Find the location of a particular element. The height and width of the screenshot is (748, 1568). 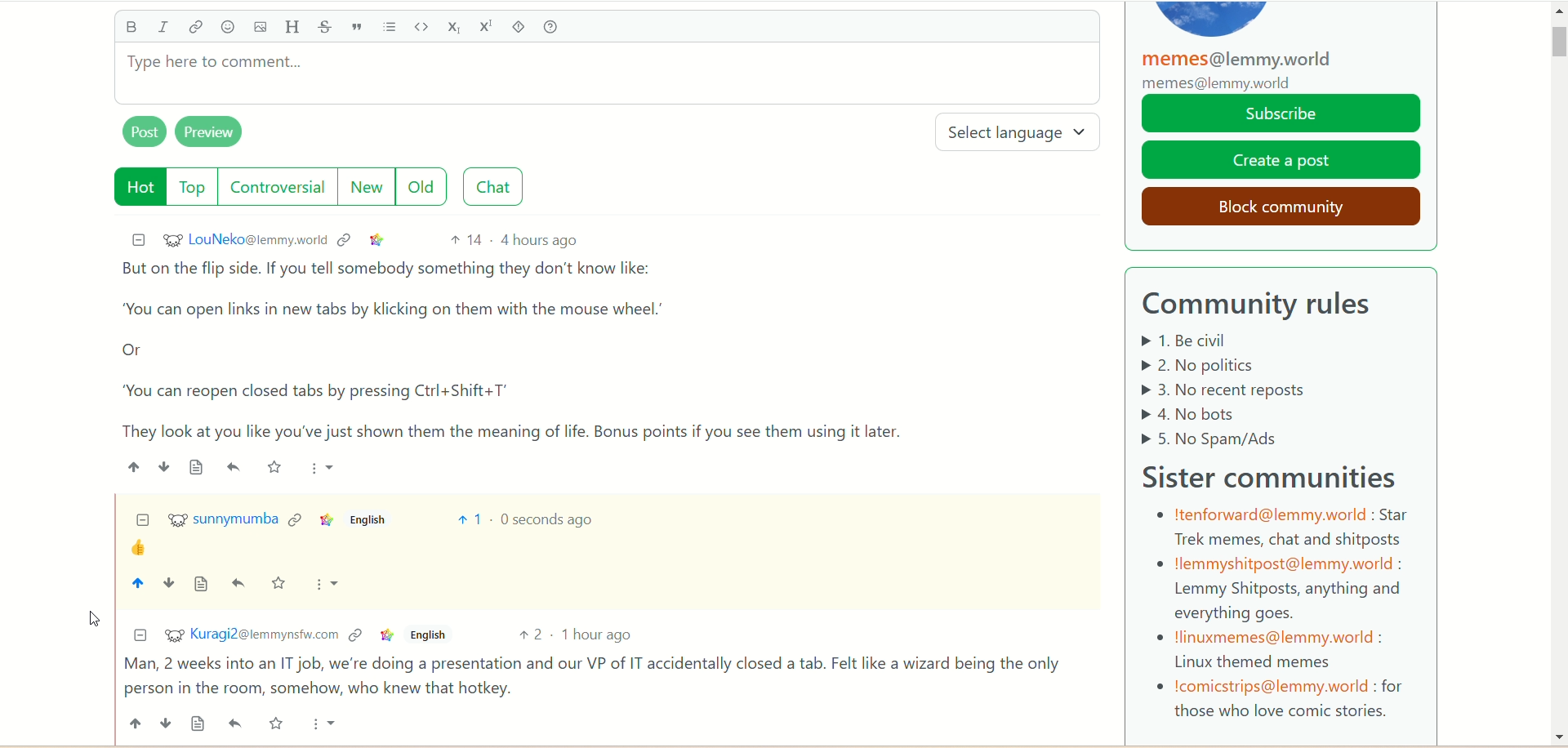

english is located at coordinates (430, 635).